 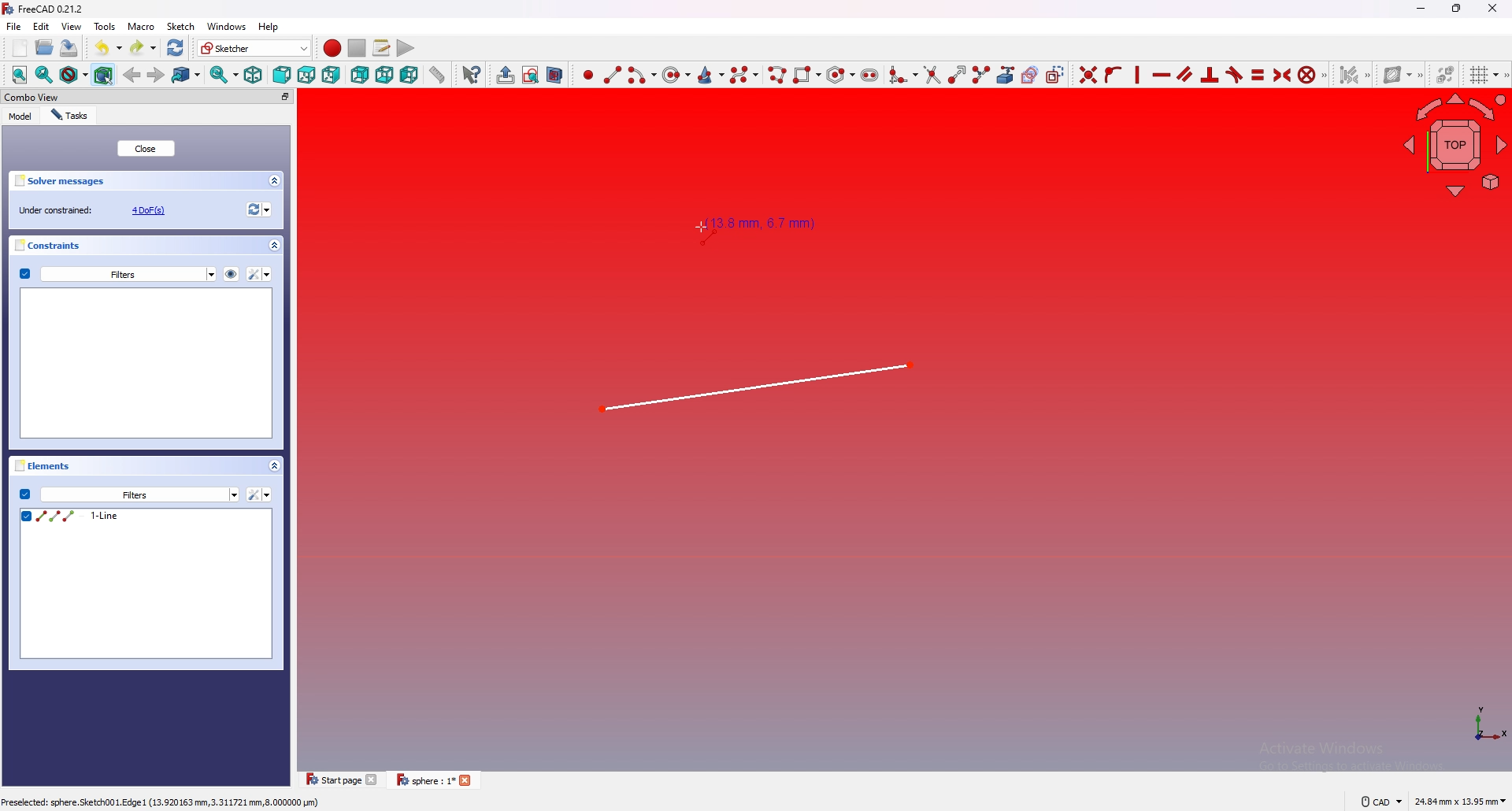 I want to click on sphere: 1*, so click(x=437, y=780).